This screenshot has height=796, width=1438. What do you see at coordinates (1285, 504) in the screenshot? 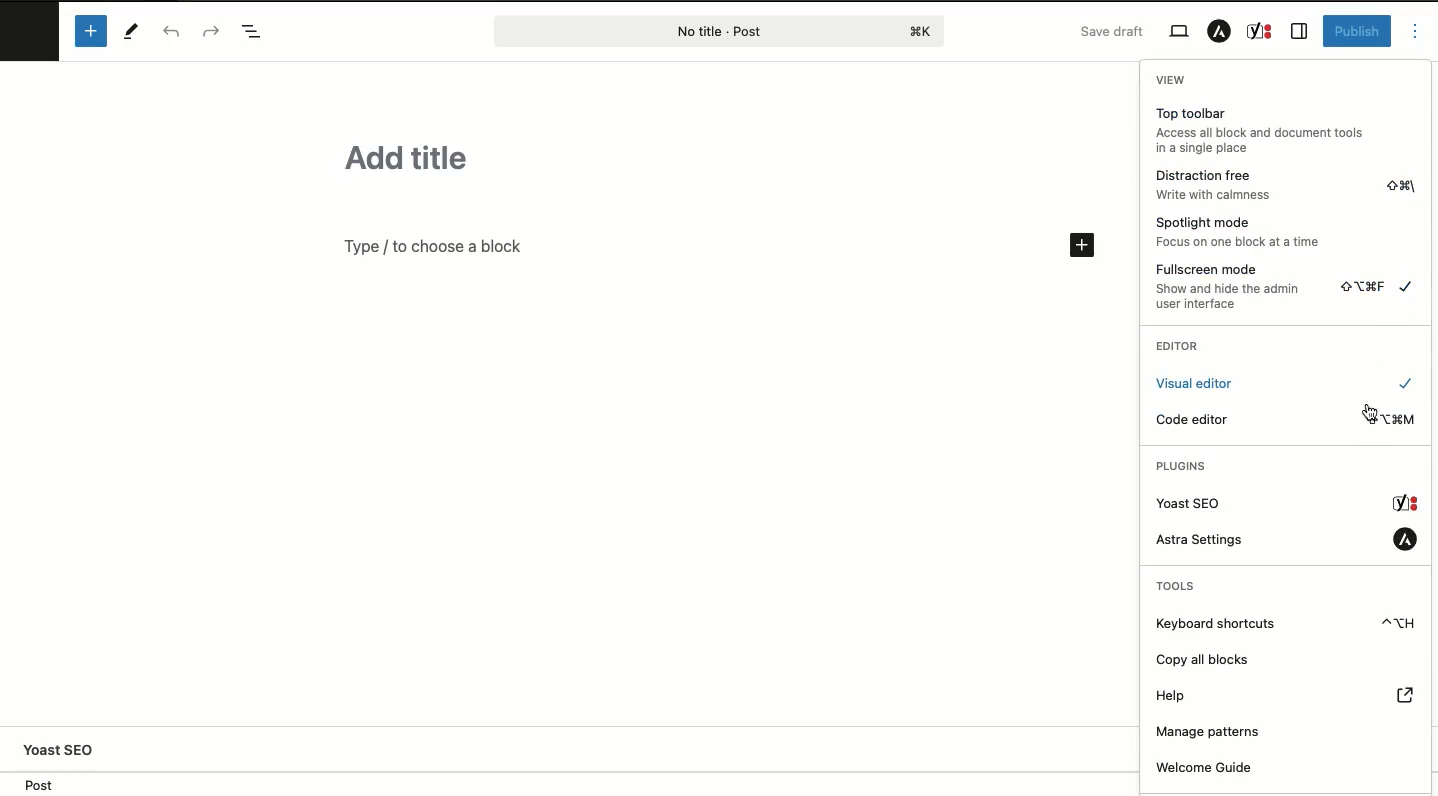
I see `Yoast` at bounding box center [1285, 504].